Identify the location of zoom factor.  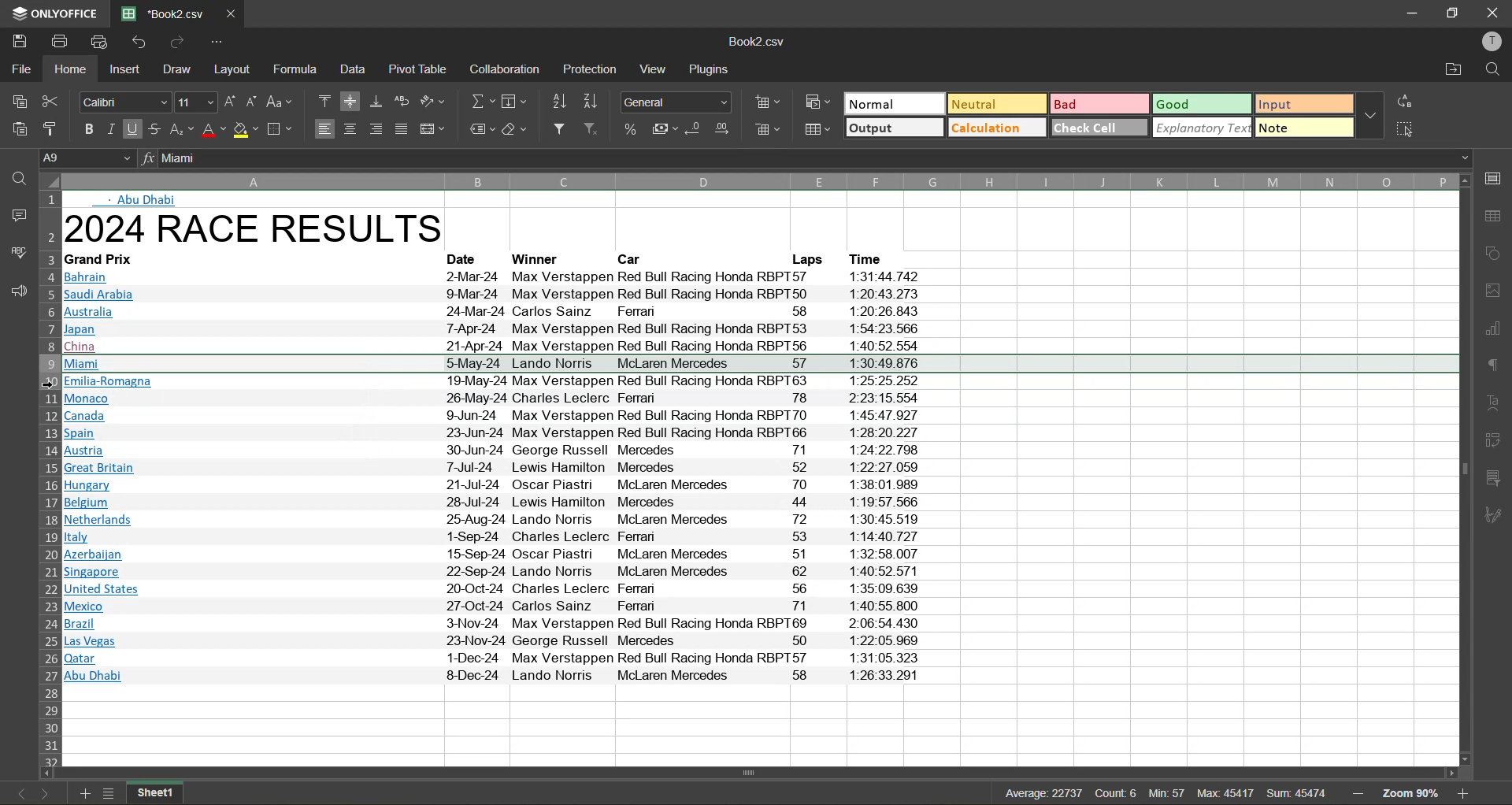
(1410, 793).